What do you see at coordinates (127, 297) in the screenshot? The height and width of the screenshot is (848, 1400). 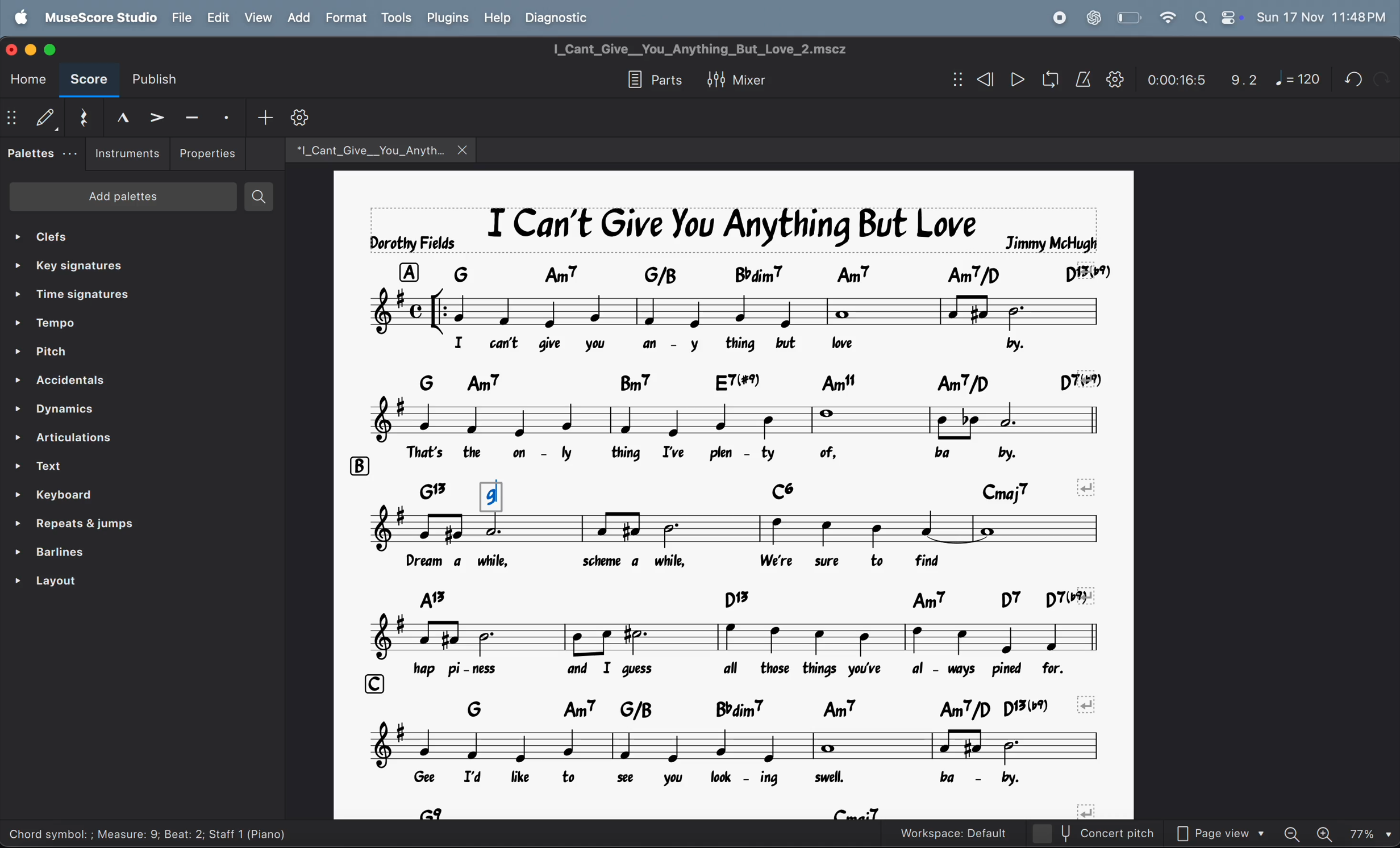 I see `time signatures` at bounding box center [127, 297].